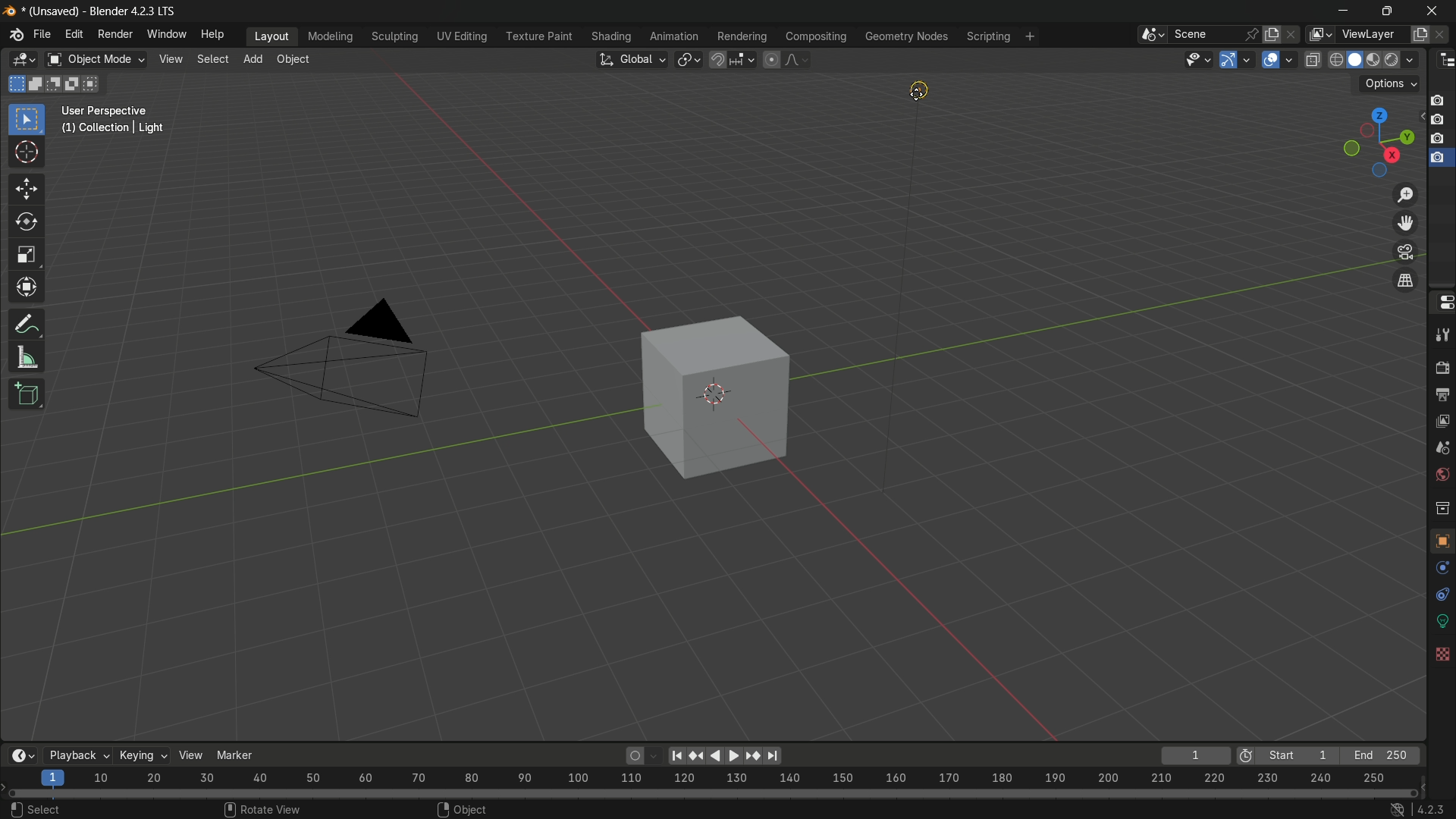  What do you see at coordinates (269, 36) in the screenshot?
I see `layout menu` at bounding box center [269, 36].